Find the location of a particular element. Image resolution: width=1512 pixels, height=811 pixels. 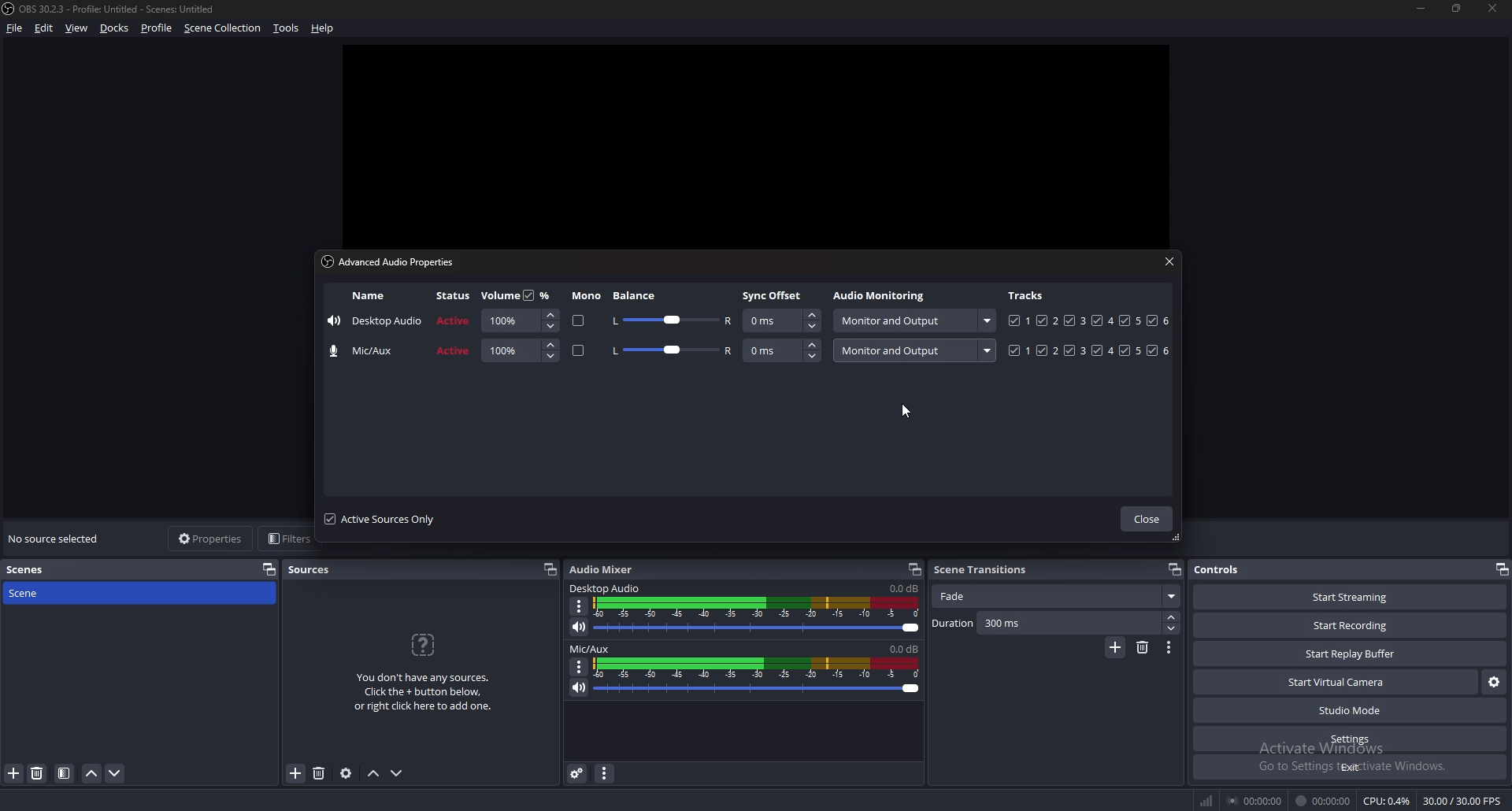

close is located at coordinates (1169, 263).